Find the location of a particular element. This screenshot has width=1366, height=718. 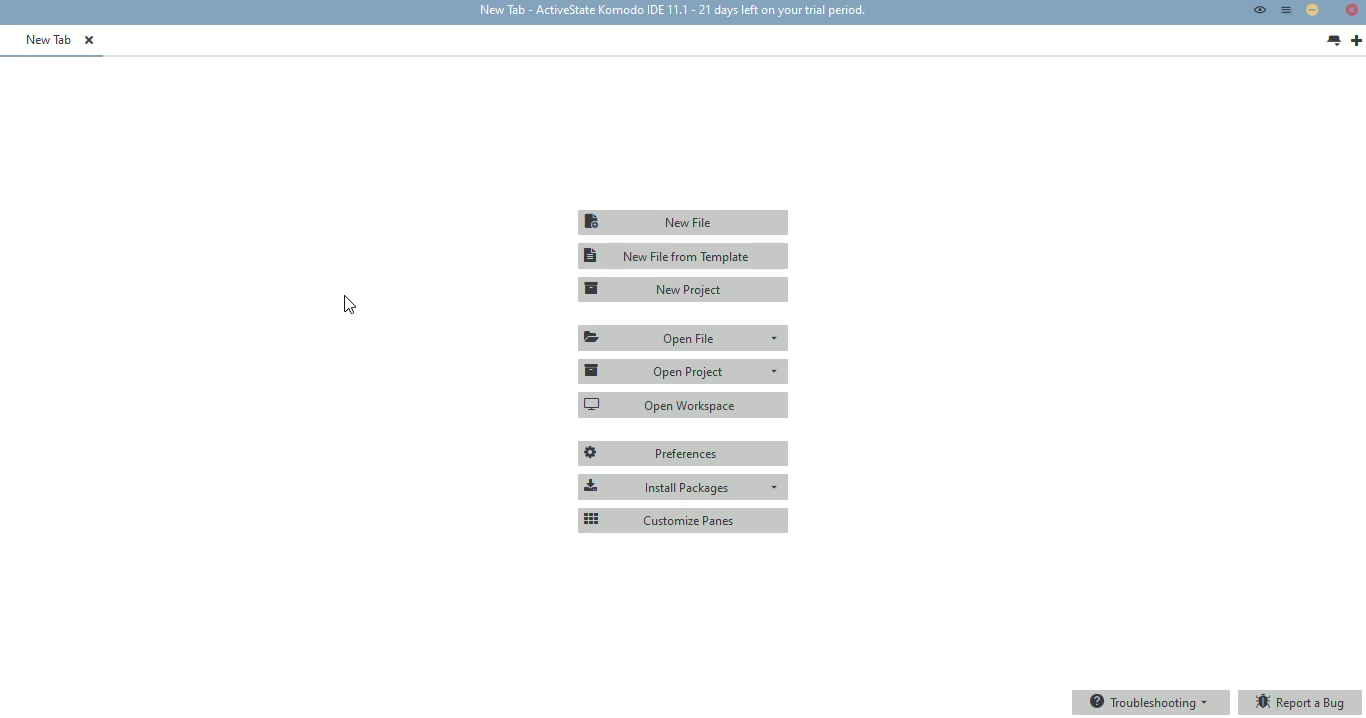

close is located at coordinates (1352, 10).